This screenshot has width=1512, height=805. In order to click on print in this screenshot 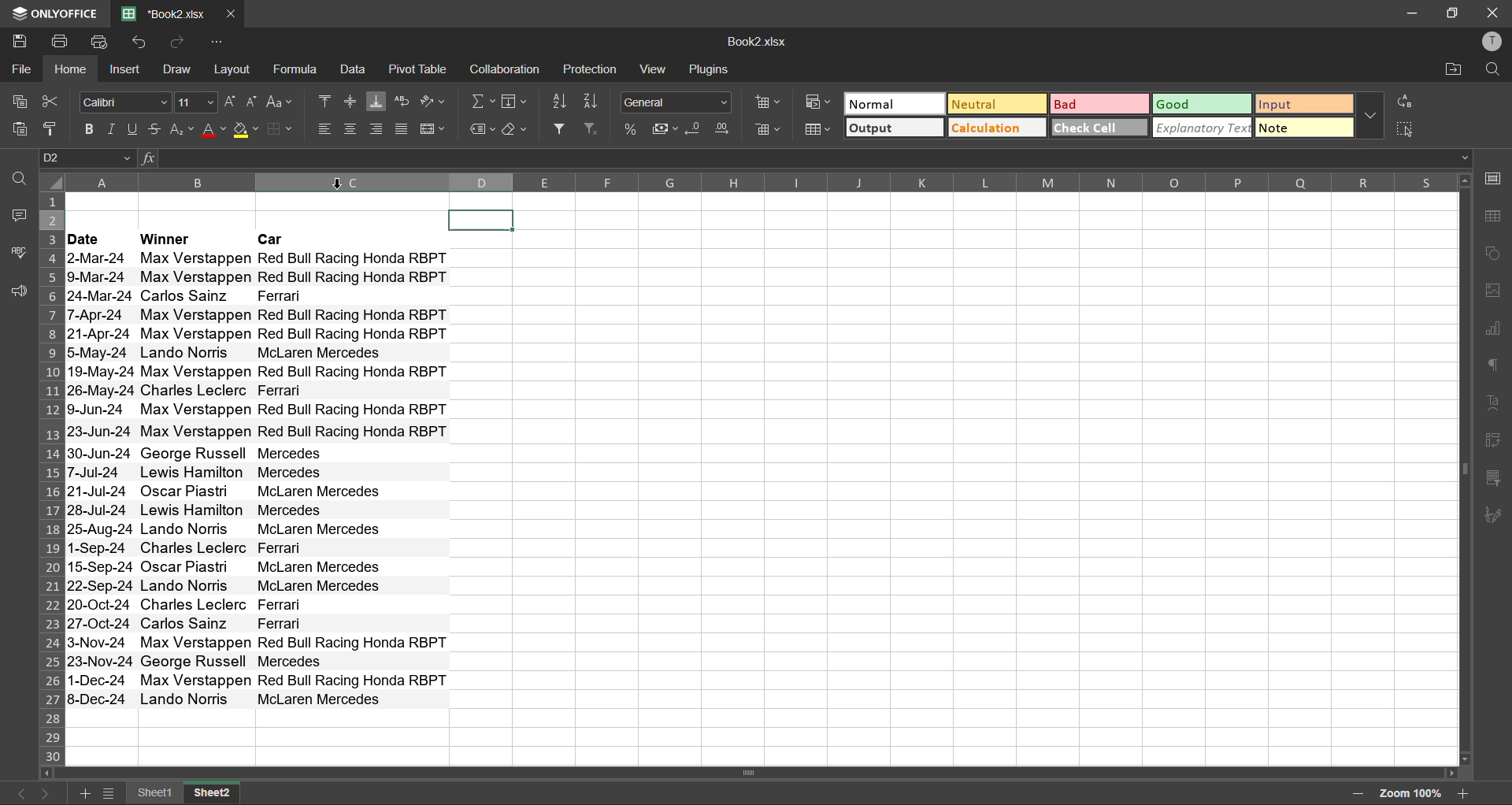, I will do `click(59, 42)`.